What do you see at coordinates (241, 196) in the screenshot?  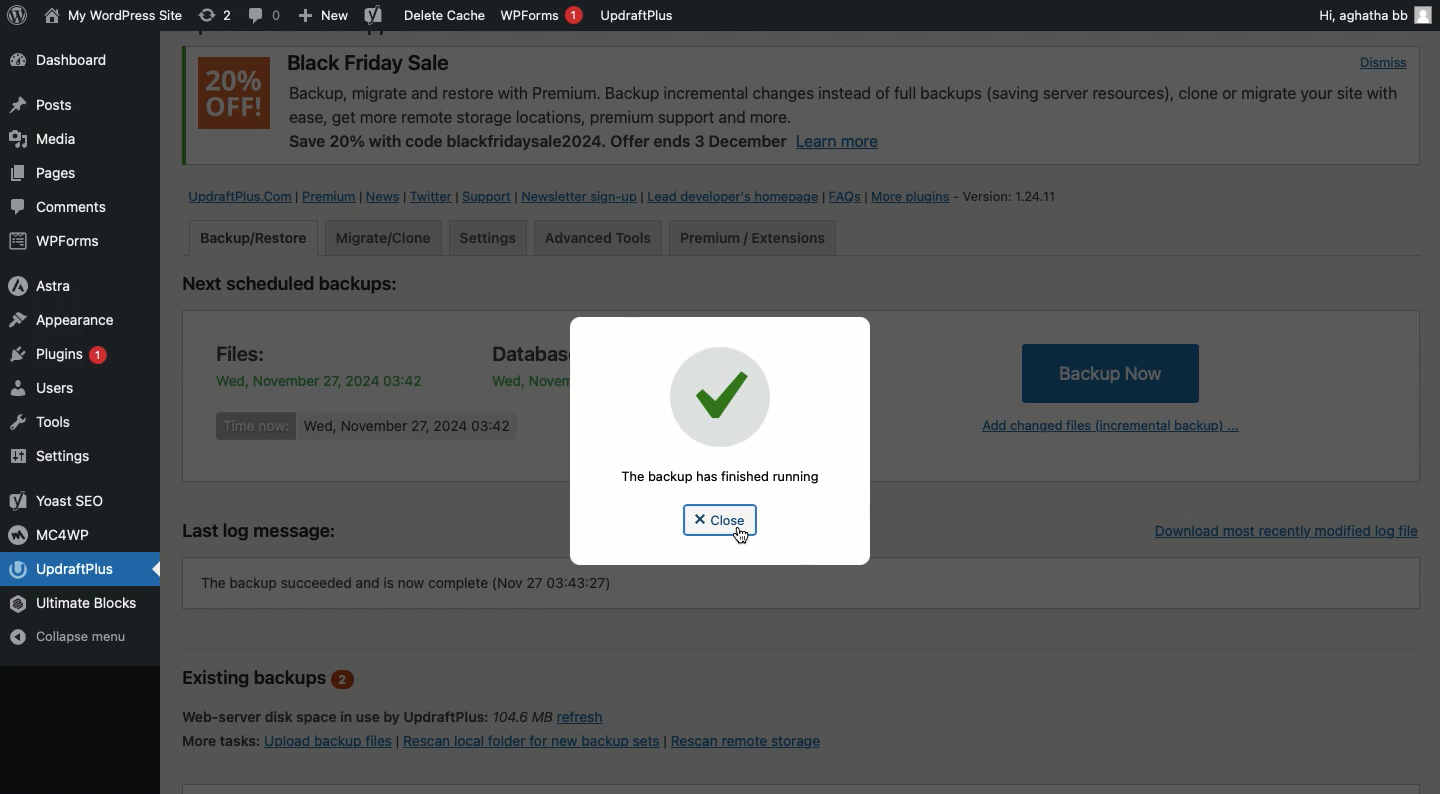 I see `UpdraftPlus.com` at bounding box center [241, 196].